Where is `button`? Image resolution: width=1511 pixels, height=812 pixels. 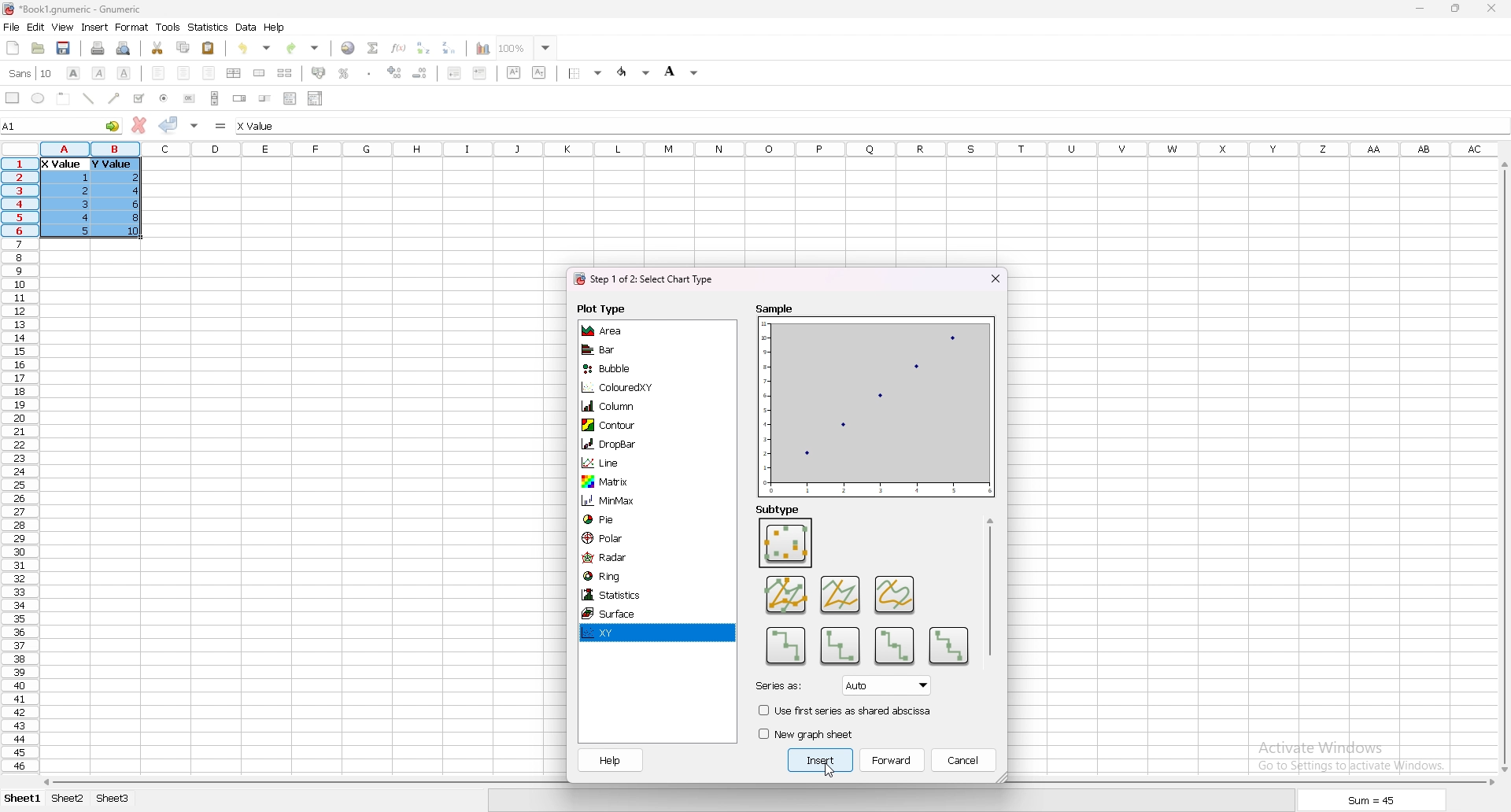
button is located at coordinates (189, 98).